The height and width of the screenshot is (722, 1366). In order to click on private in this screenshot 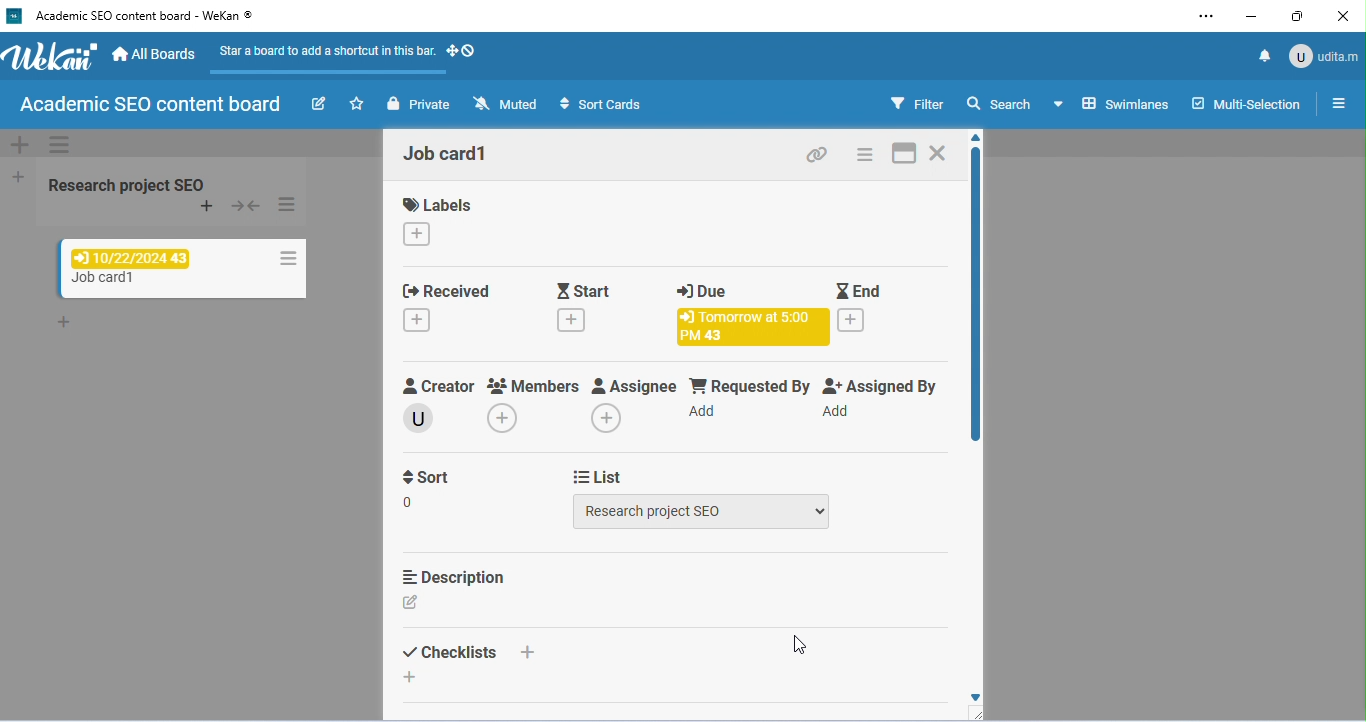, I will do `click(422, 104)`.